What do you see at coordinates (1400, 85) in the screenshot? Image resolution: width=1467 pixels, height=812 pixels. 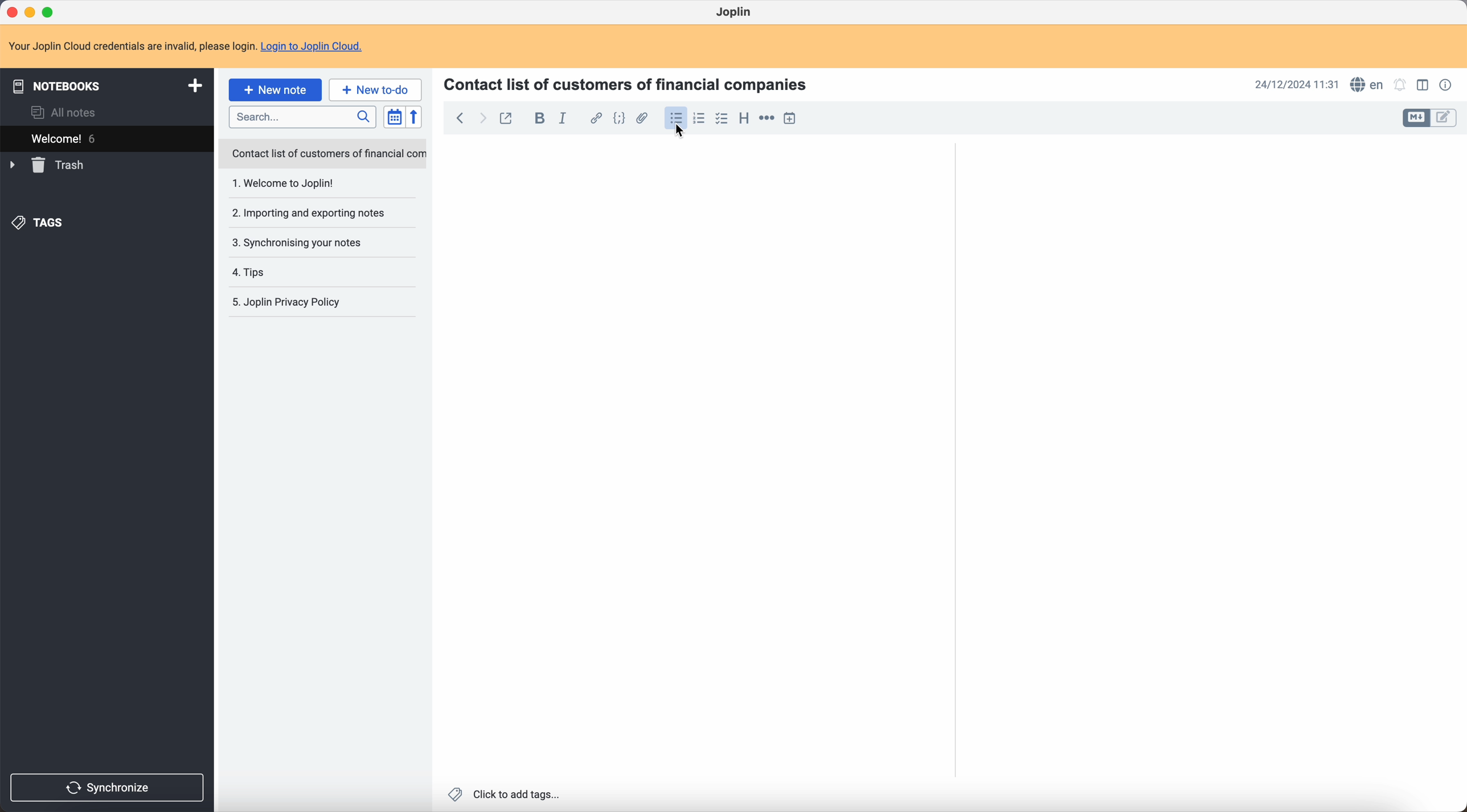 I see `set notifications` at bounding box center [1400, 85].